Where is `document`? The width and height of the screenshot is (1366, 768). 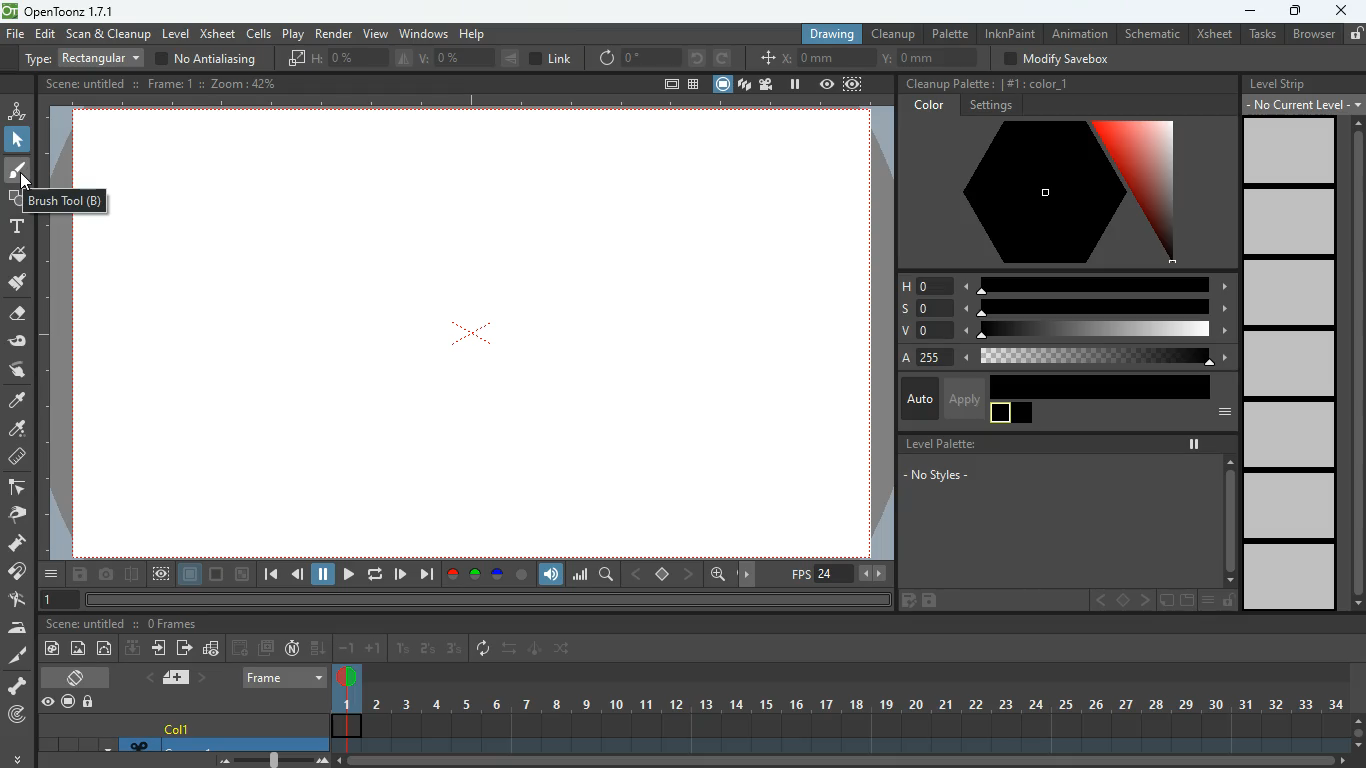
document is located at coordinates (180, 677).